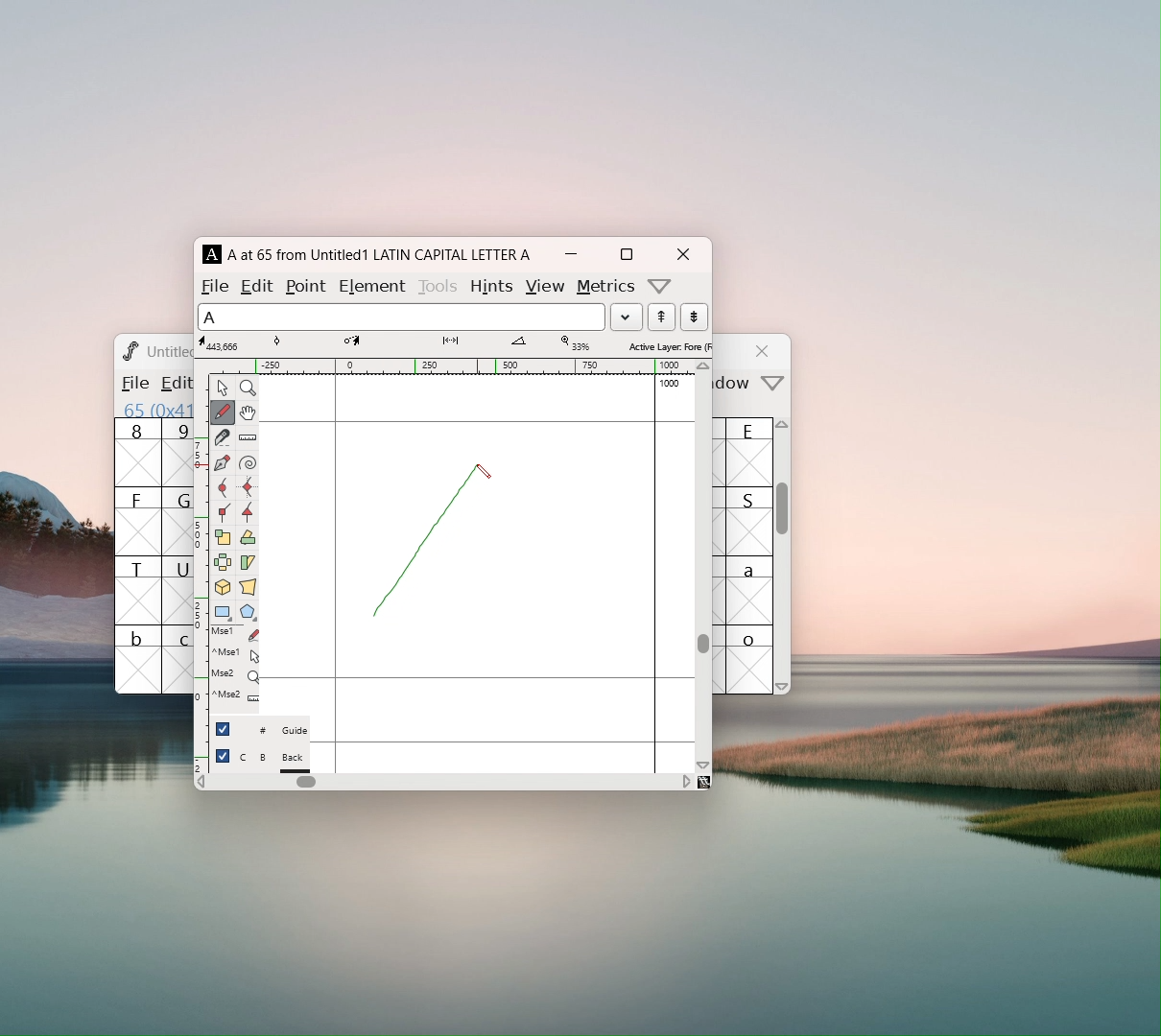 Image resolution: width=1161 pixels, height=1036 pixels. Describe the element at coordinates (686, 781) in the screenshot. I see `scroll right` at that location.